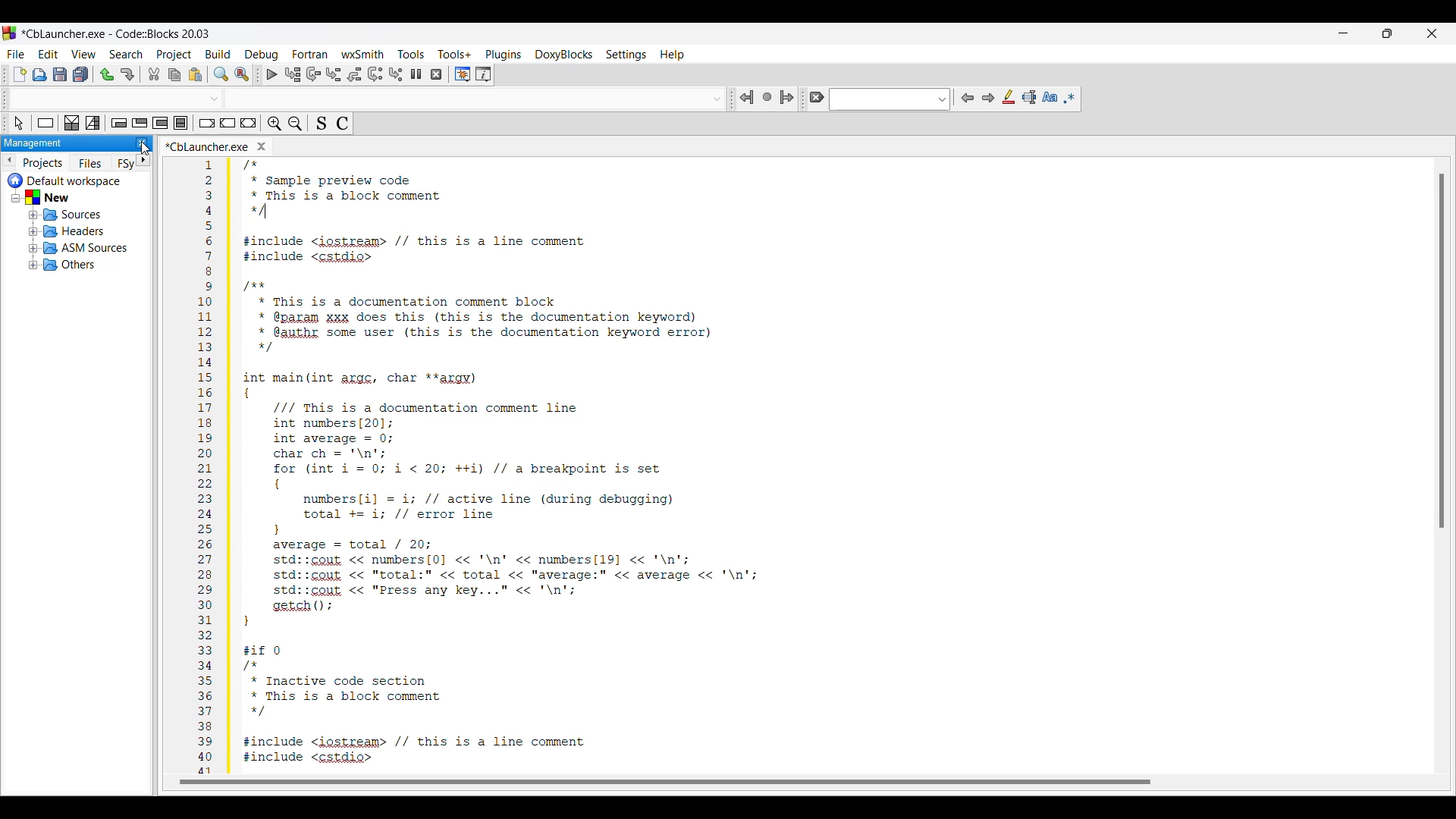  I want to click on Build menu, so click(218, 54).